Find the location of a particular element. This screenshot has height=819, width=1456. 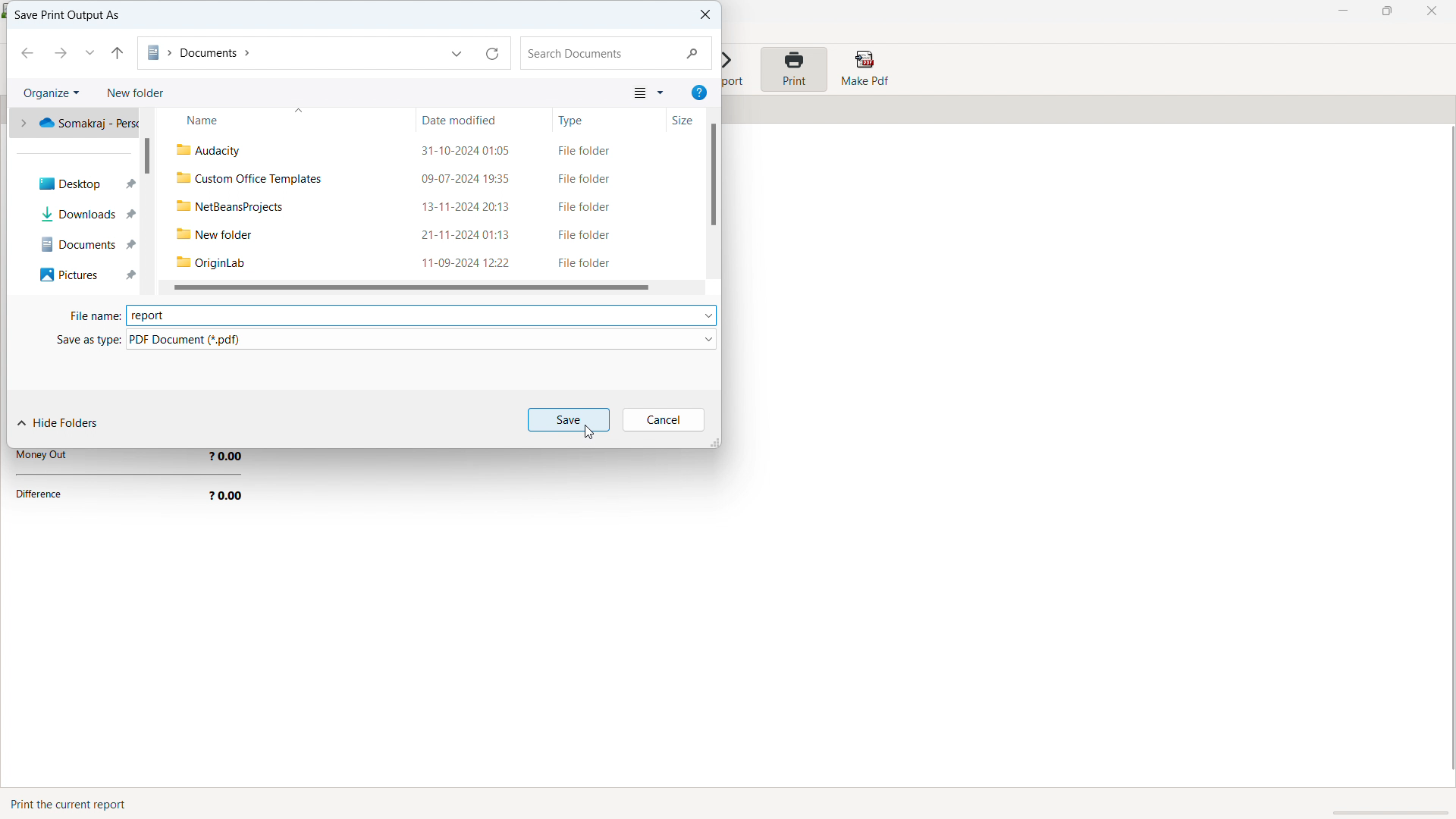

scrollbar is located at coordinates (146, 155).